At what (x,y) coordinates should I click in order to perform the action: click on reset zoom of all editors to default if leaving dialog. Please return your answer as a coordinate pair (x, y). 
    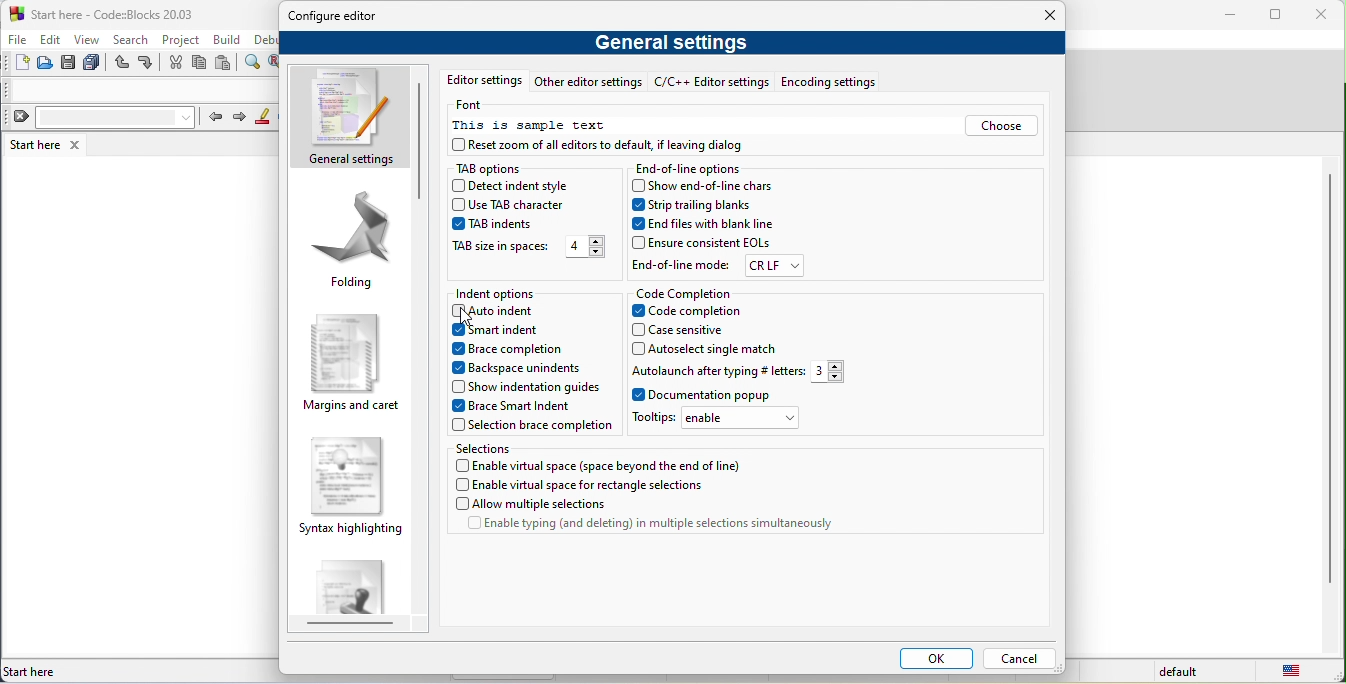
    Looking at the image, I should click on (604, 146).